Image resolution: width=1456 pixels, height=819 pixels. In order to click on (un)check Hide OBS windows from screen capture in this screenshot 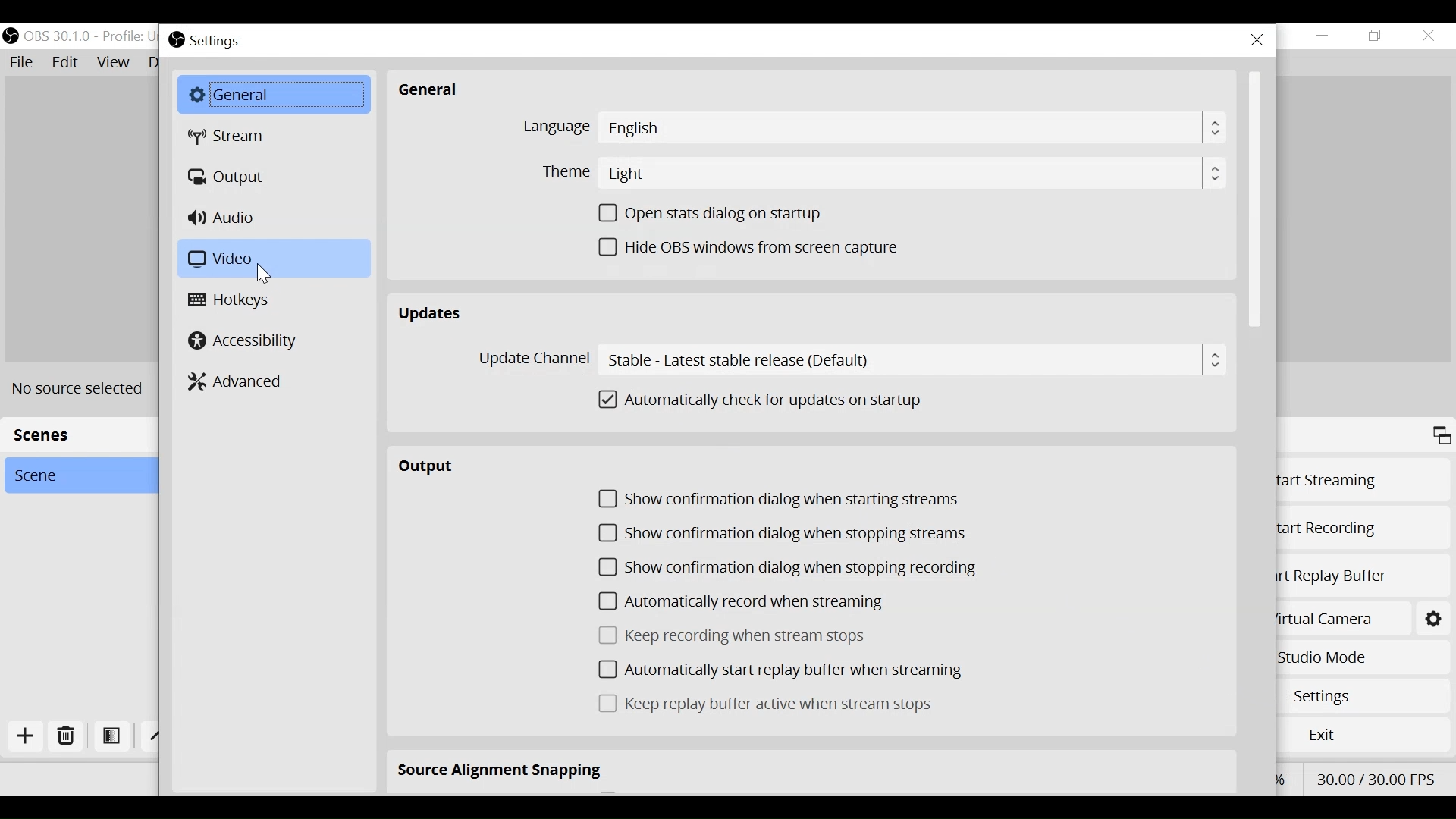, I will do `click(757, 246)`.